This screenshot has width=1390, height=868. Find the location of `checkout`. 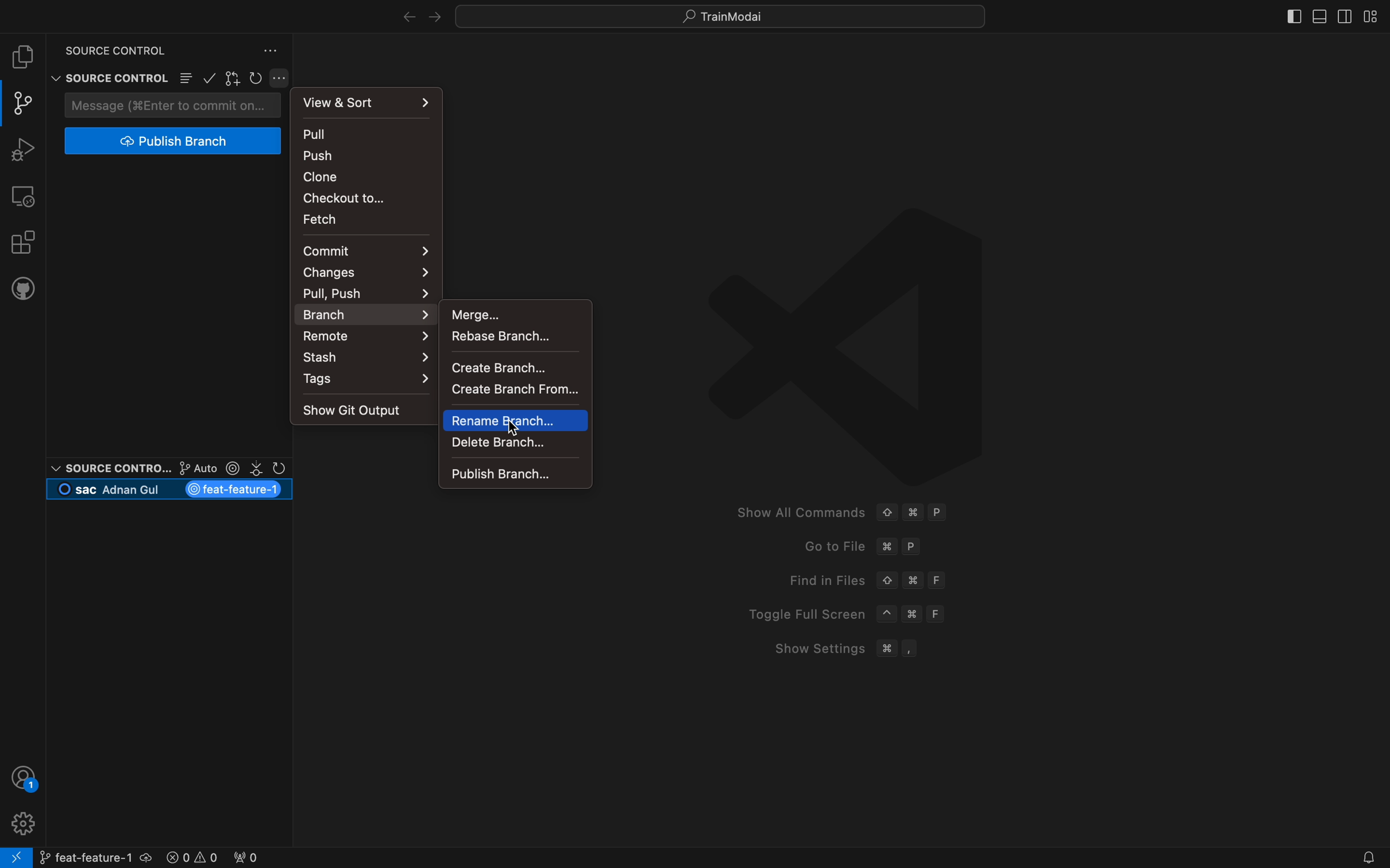

checkout is located at coordinates (366, 199).